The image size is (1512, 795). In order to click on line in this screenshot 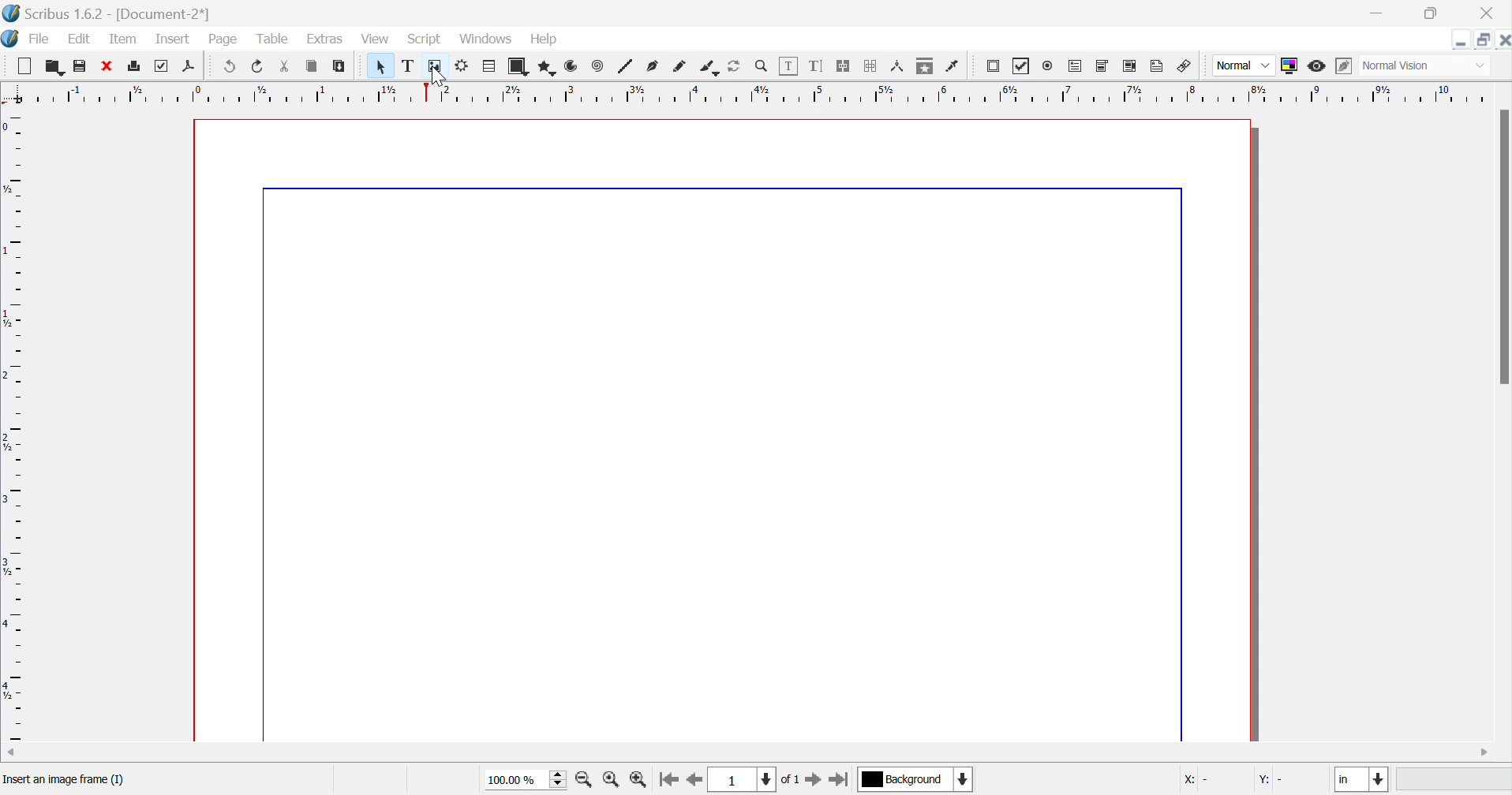, I will do `click(625, 66)`.